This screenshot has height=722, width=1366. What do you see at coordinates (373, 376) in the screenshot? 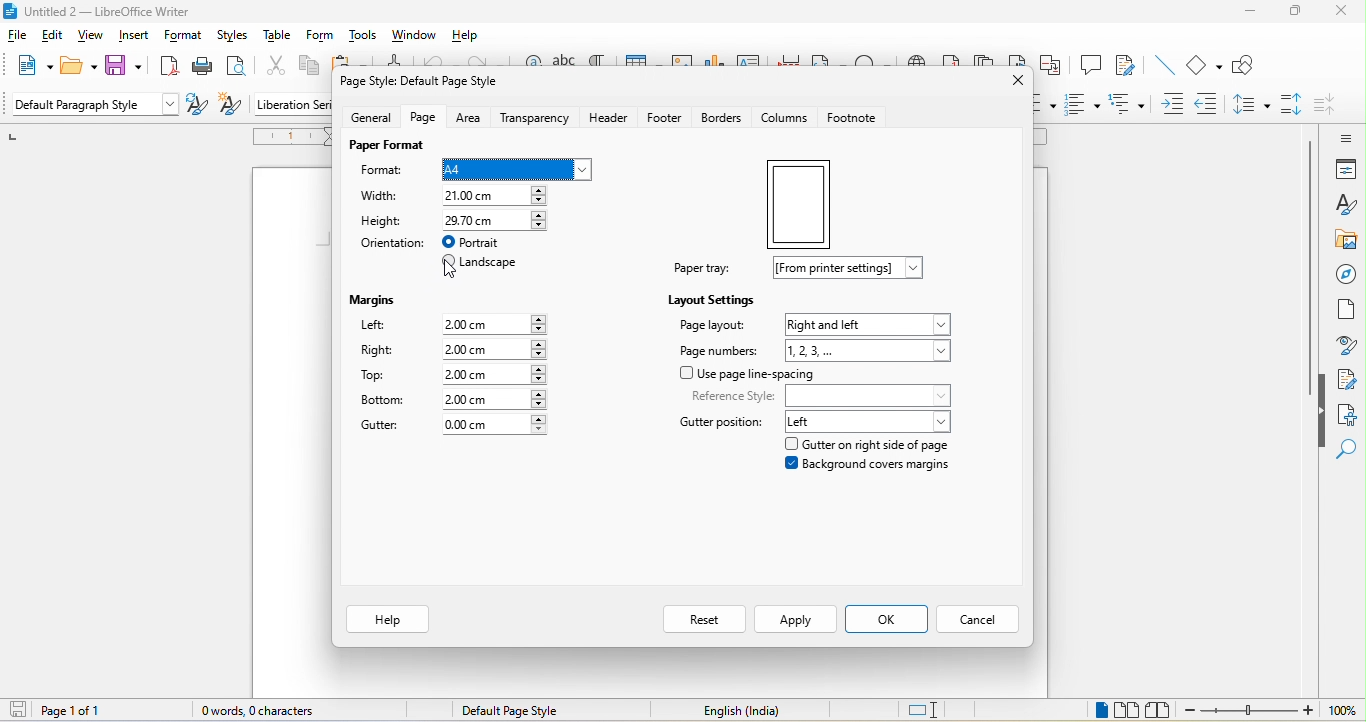
I see `top` at bounding box center [373, 376].